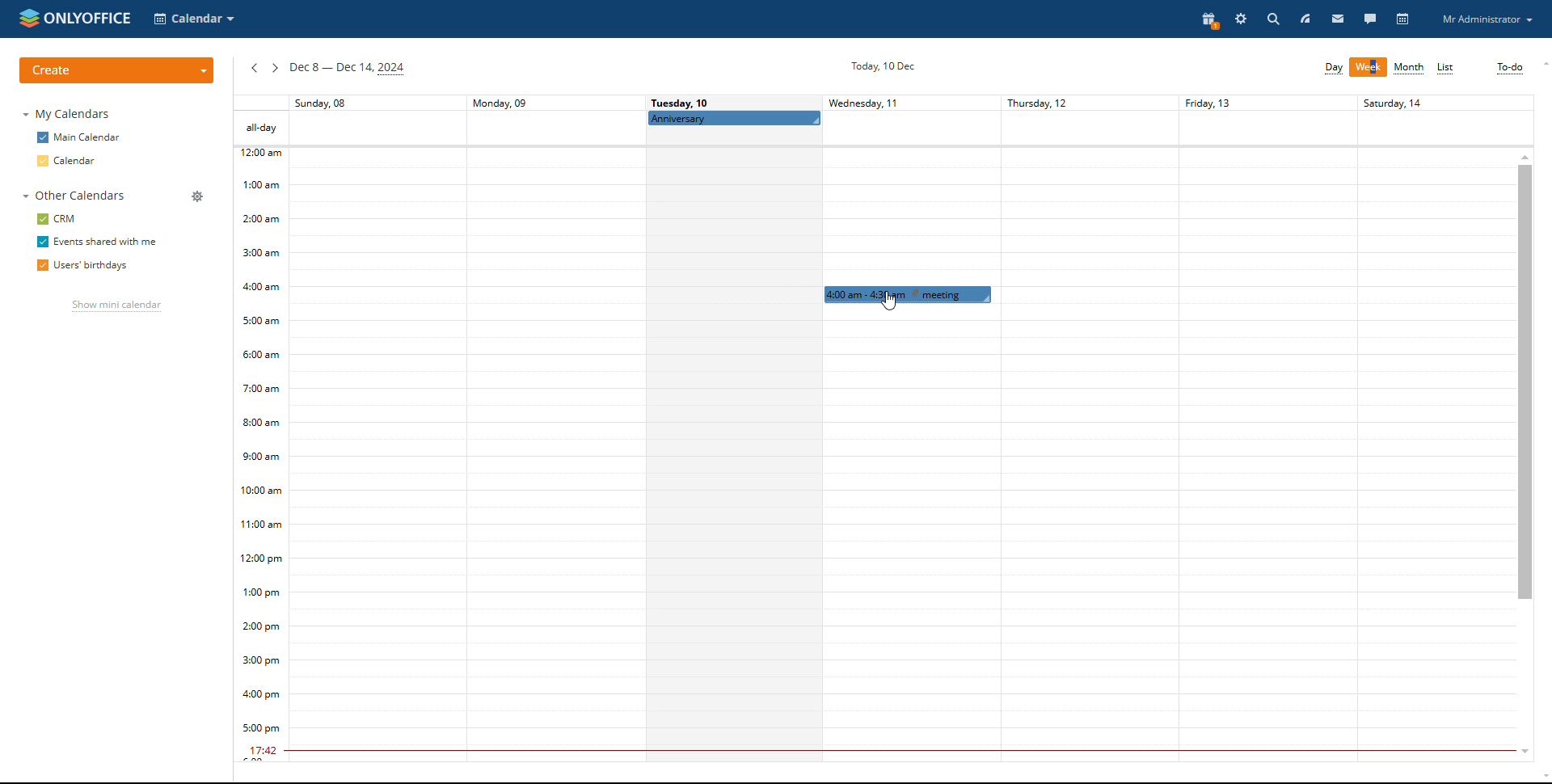 This screenshot has width=1552, height=784. Describe the element at coordinates (96, 242) in the screenshot. I see `events shared with me` at that location.